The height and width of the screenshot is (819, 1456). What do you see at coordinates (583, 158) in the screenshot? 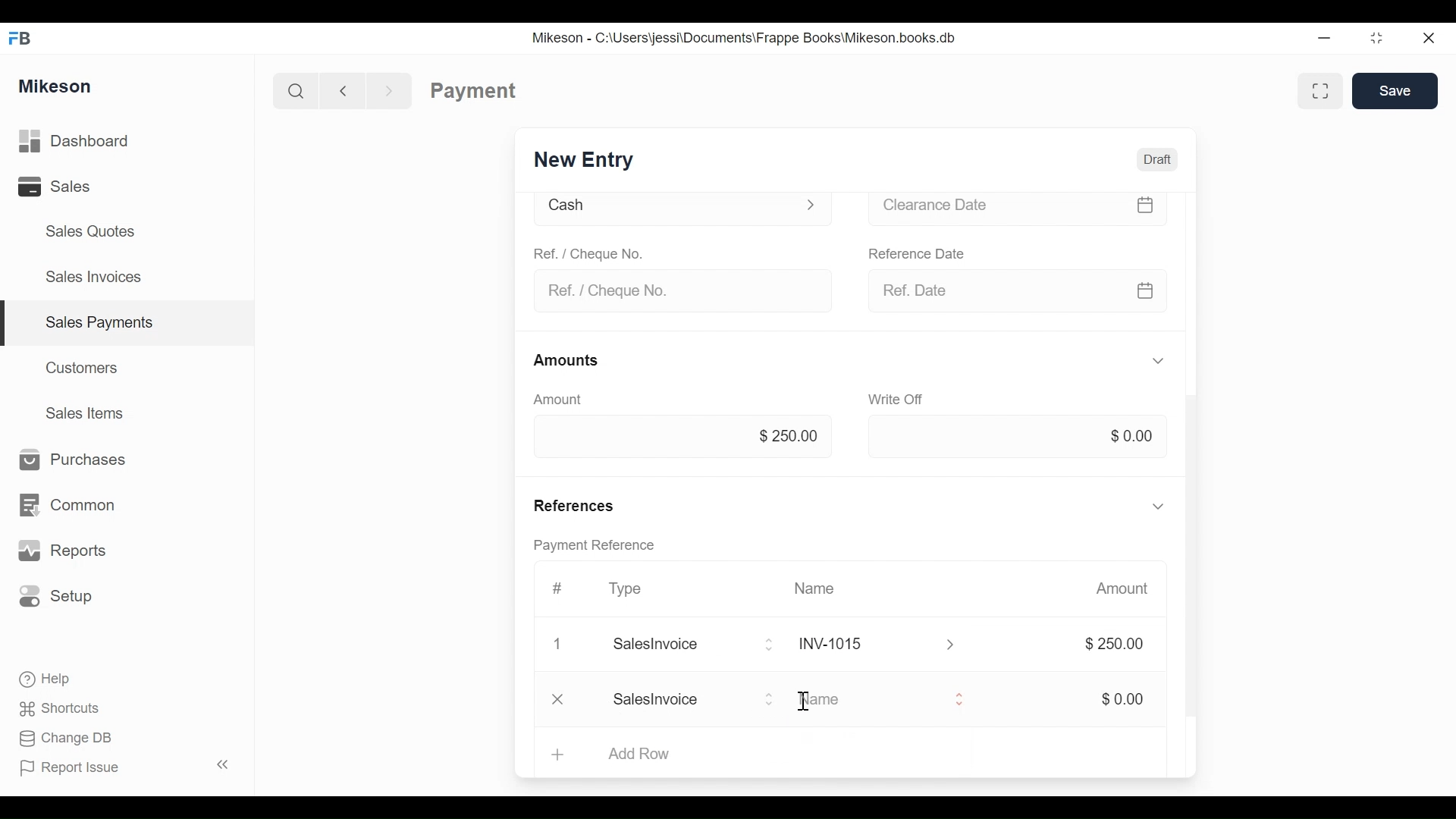
I see `New Entry` at bounding box center [583, 158].